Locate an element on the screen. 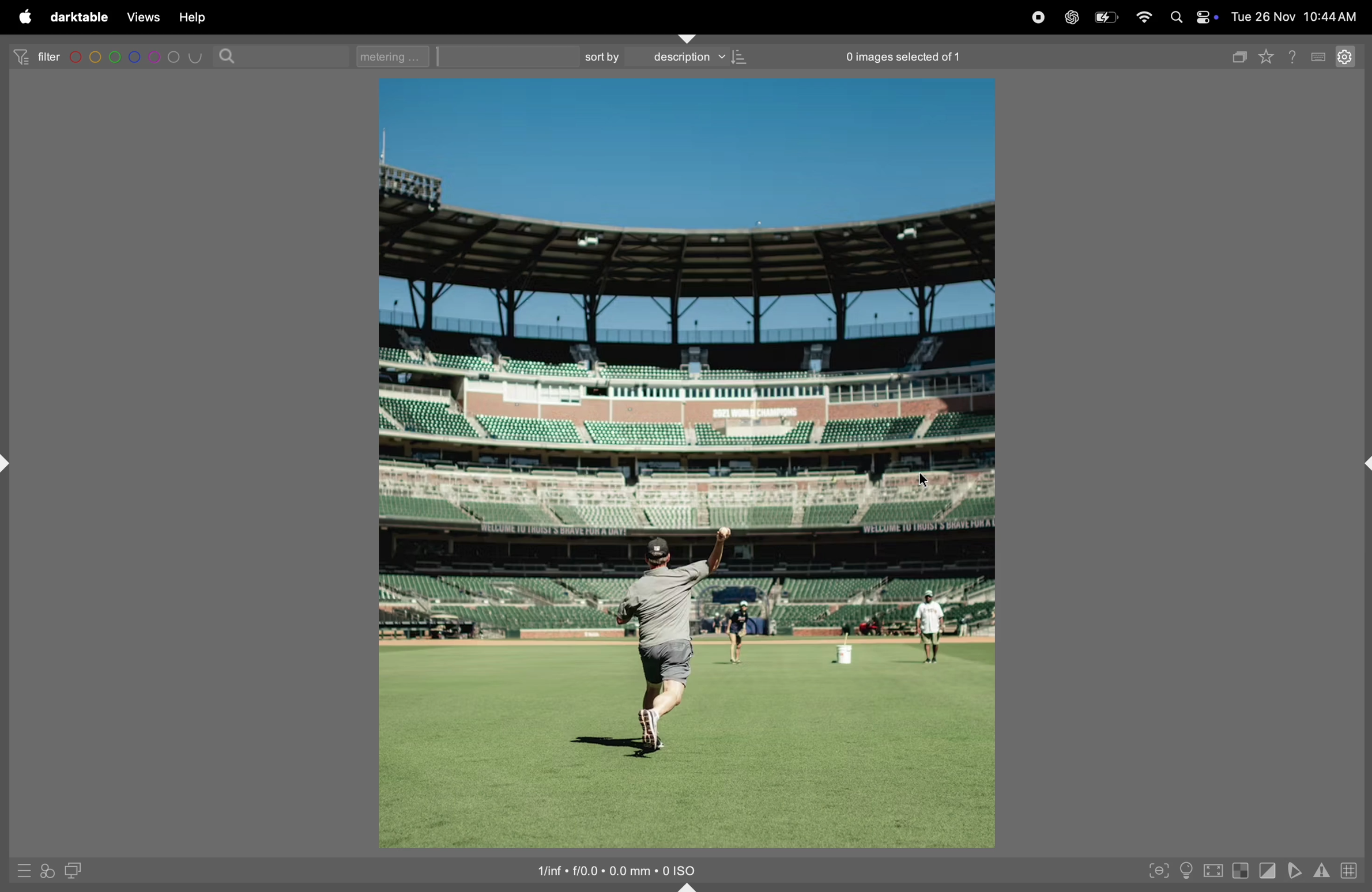  chatgpt is located at coordinates (1069, 17).